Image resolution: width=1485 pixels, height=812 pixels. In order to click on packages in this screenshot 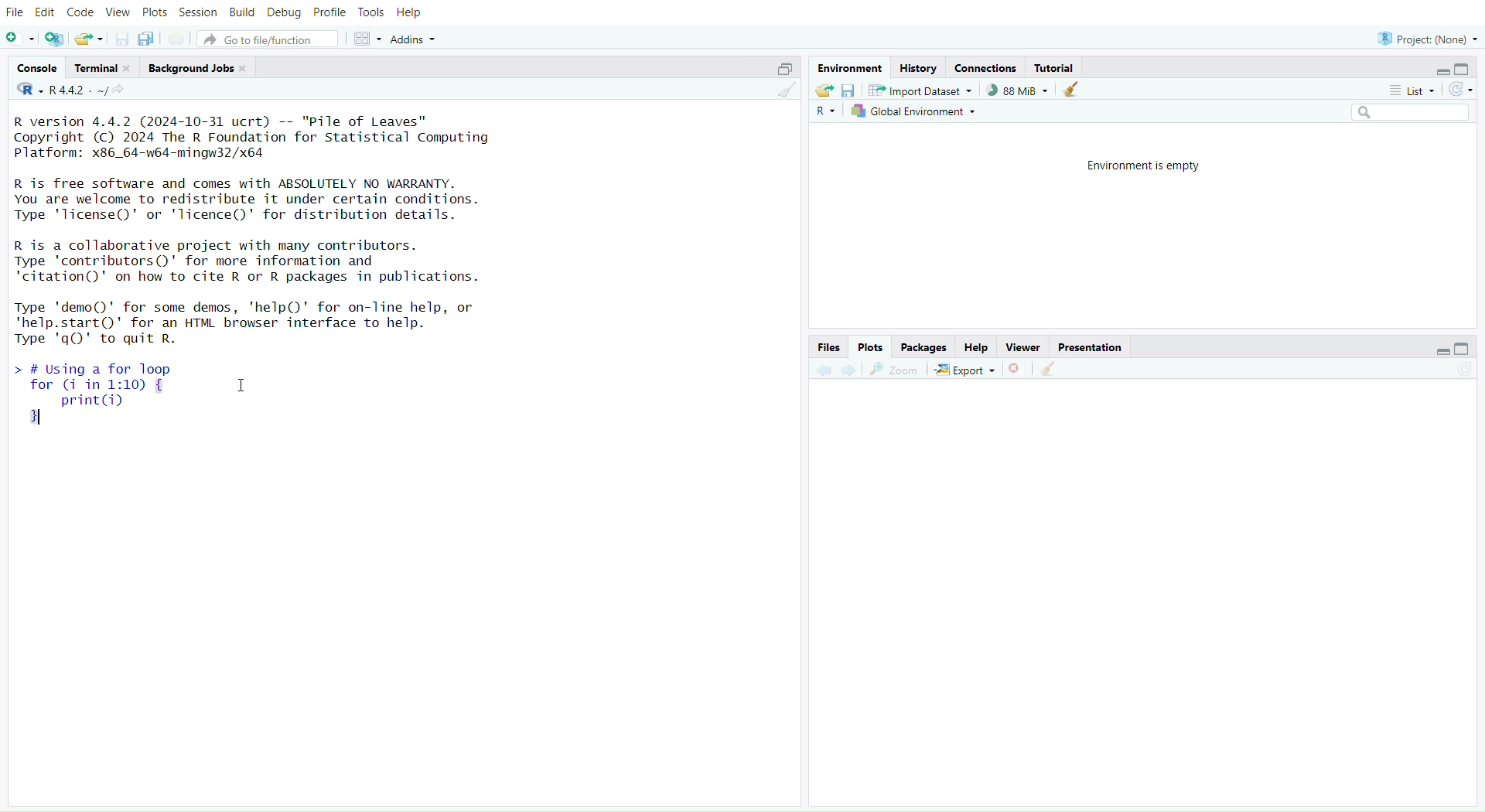, I will do `click(925, 348)`.